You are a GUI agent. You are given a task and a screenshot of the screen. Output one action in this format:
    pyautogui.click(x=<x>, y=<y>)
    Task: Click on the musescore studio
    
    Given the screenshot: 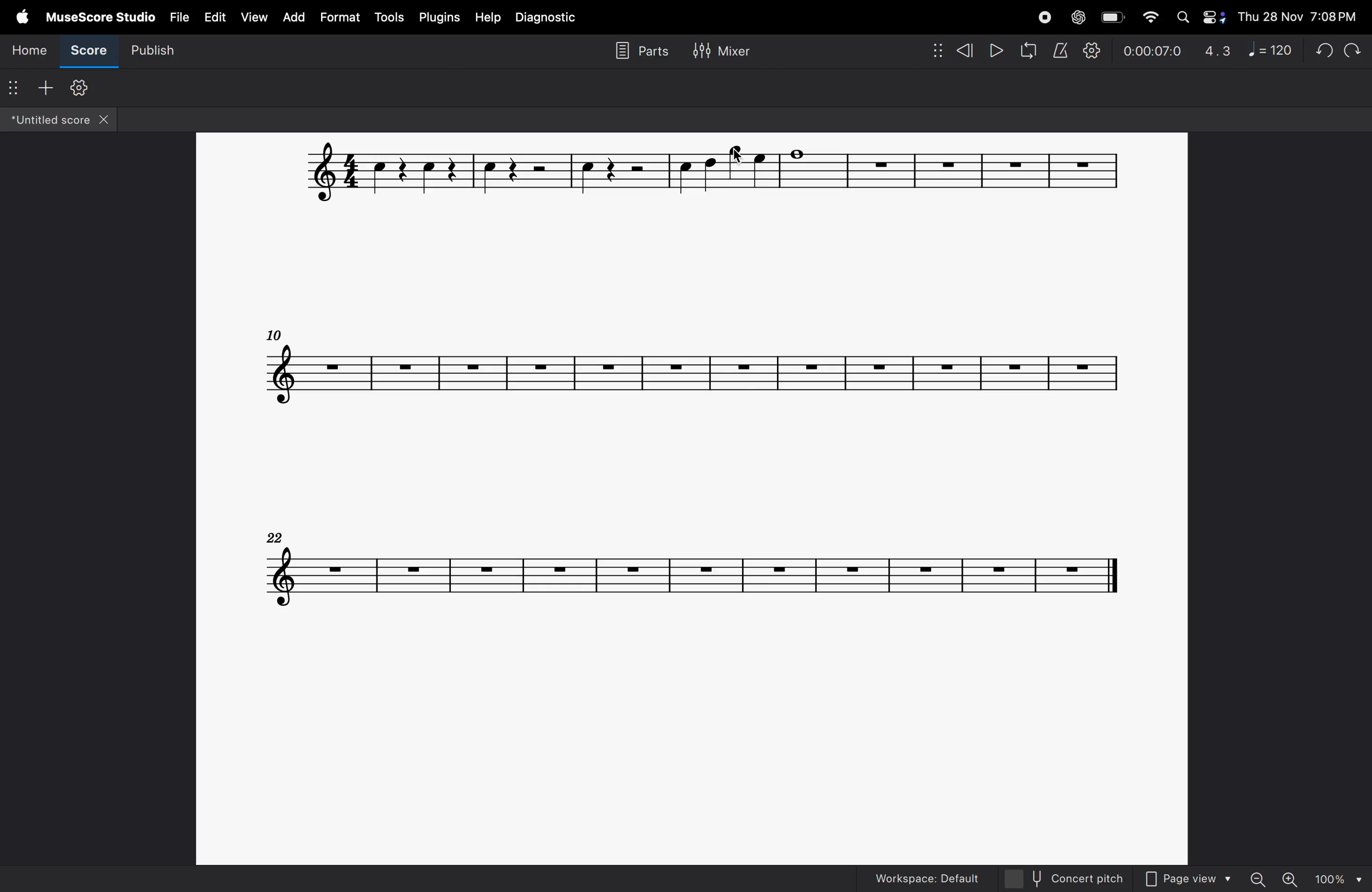 What is the action you would take?
    pyautogui.click(x=101, y=16)
    